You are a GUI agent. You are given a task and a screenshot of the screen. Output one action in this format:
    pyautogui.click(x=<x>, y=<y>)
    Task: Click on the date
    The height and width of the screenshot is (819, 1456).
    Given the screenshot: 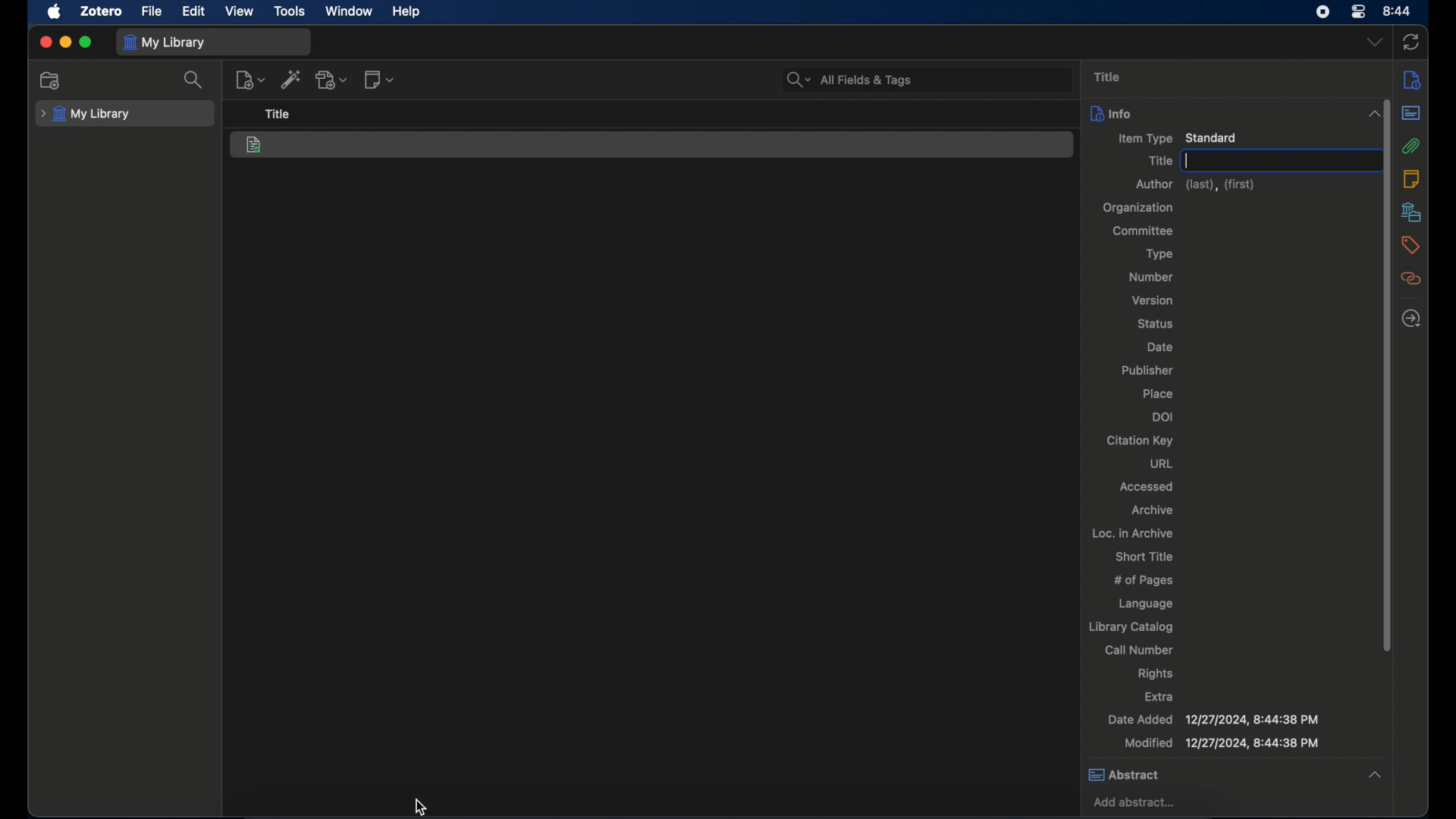 What is the action you would take?
    pyautogui.click(x=1157, y=347)
    